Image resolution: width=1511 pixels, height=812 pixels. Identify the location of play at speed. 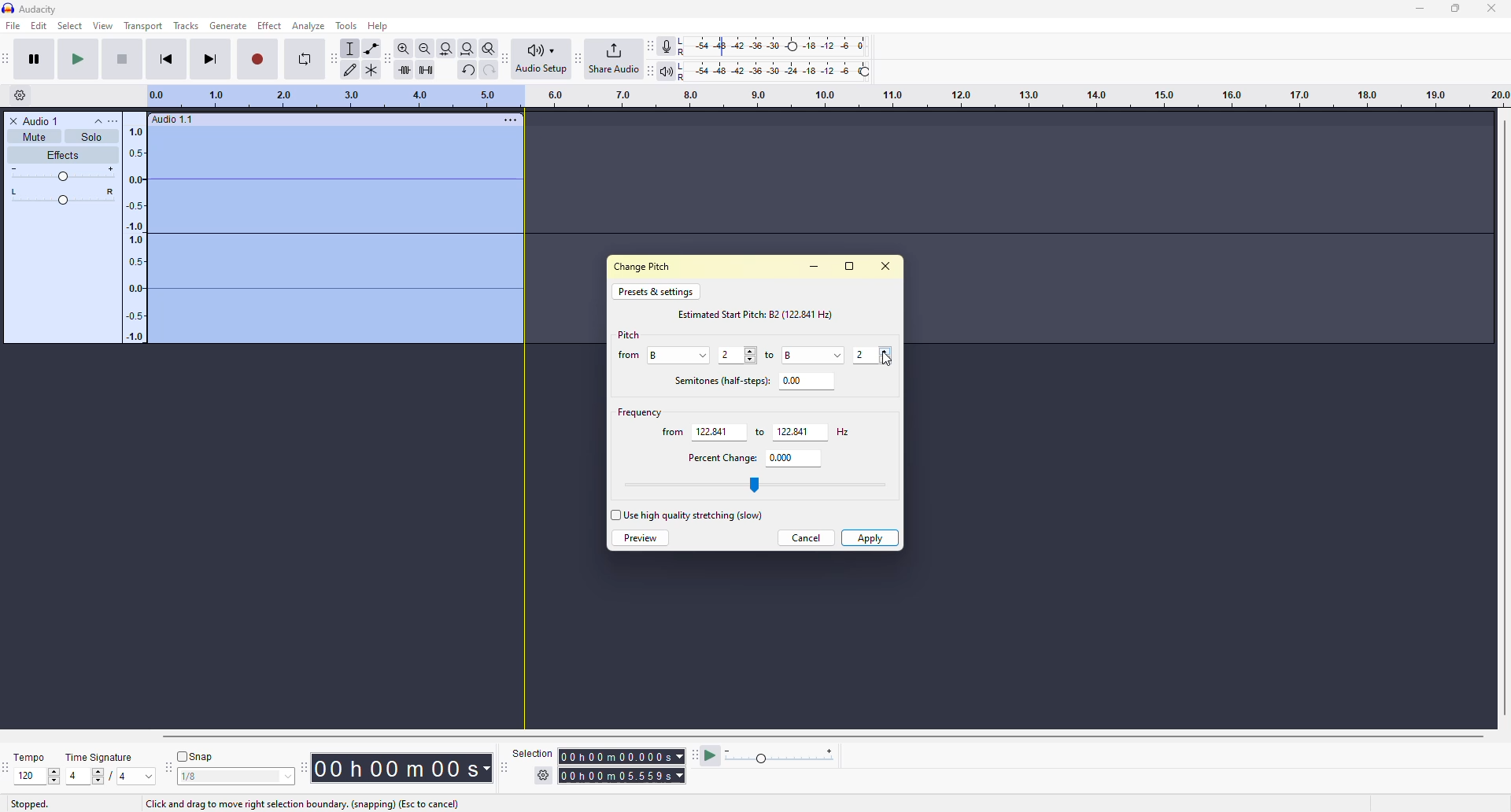
(711, 755).